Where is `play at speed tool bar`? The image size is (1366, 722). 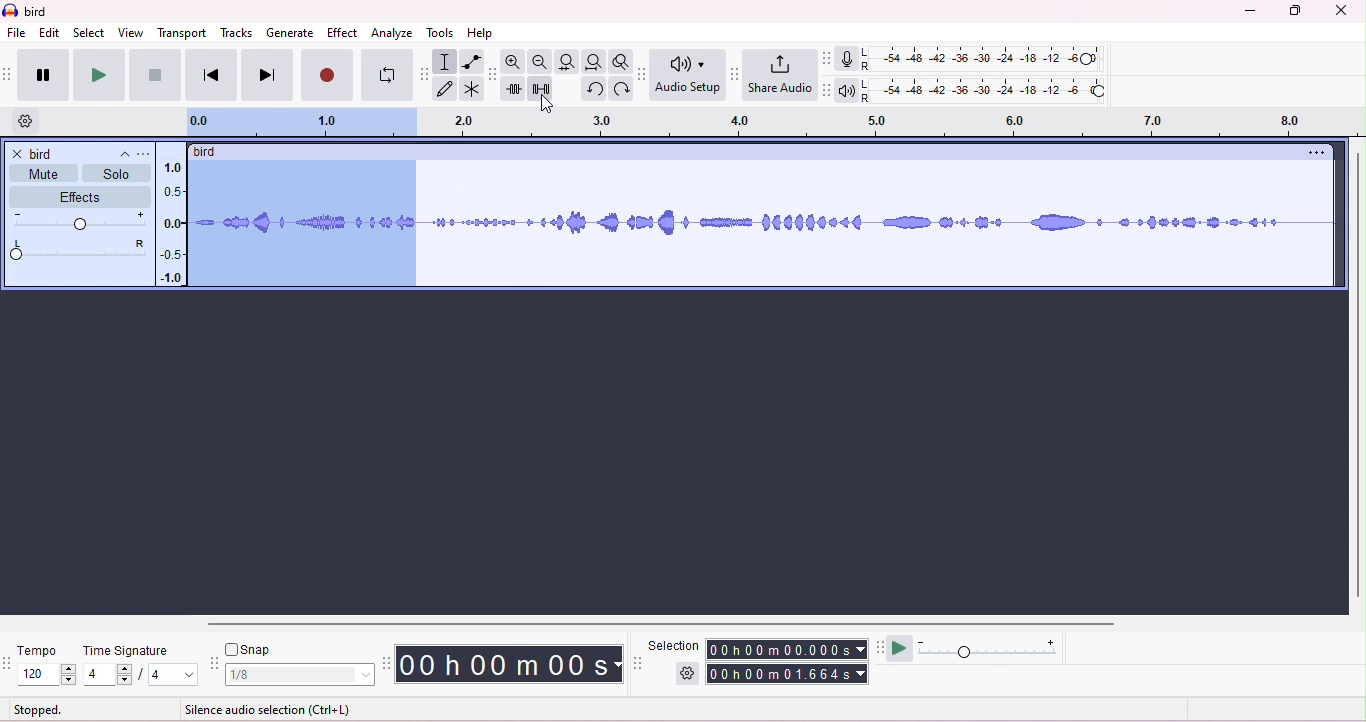 play at speed tool bar is located at coordinates (878, 646).